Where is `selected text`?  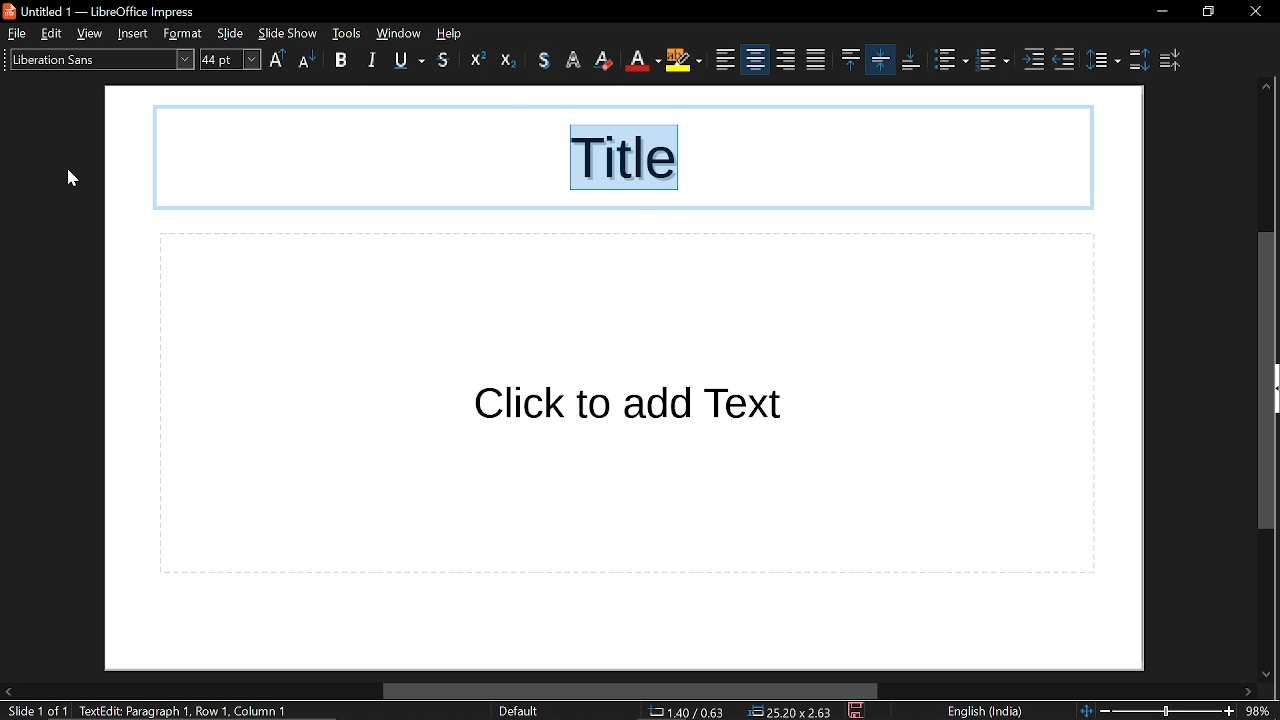
selected text is located at coordinates (627, 160).